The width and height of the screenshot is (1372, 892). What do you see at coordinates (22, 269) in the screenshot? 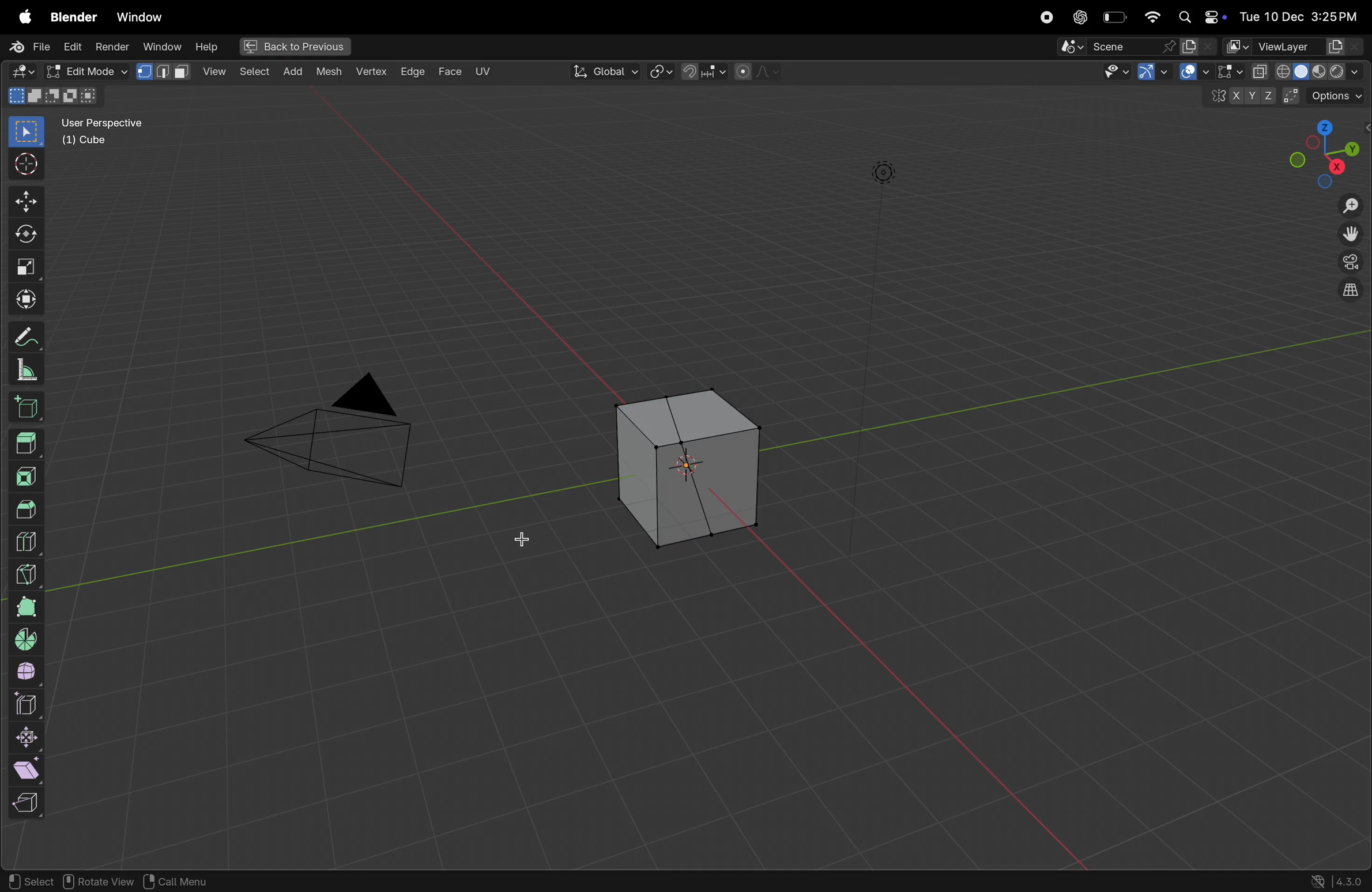
I see `scale` at bounding box center [22, 269].